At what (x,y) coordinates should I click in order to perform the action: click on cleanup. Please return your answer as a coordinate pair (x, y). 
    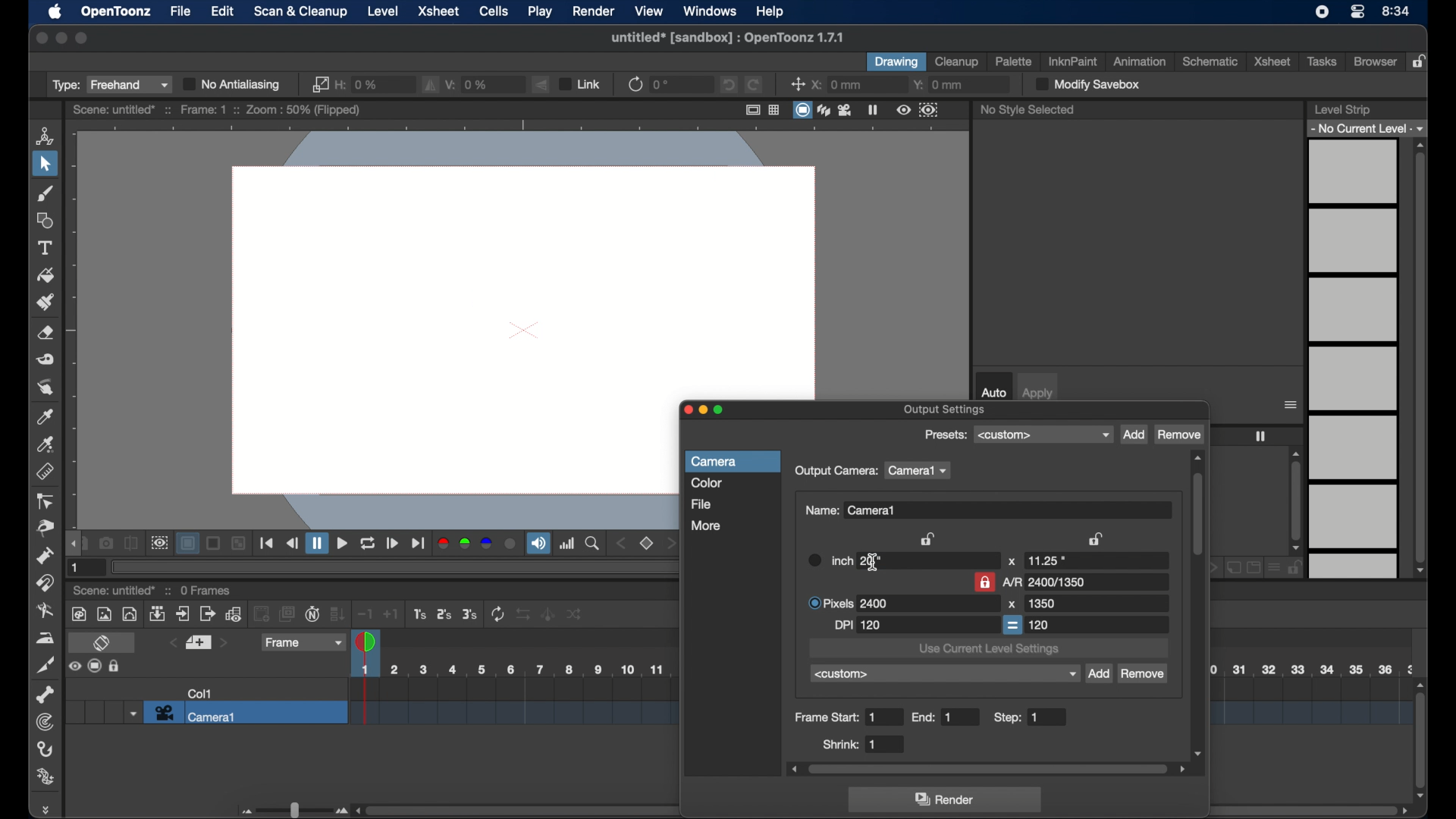
    Looking at the image, I should click on (957, 61).